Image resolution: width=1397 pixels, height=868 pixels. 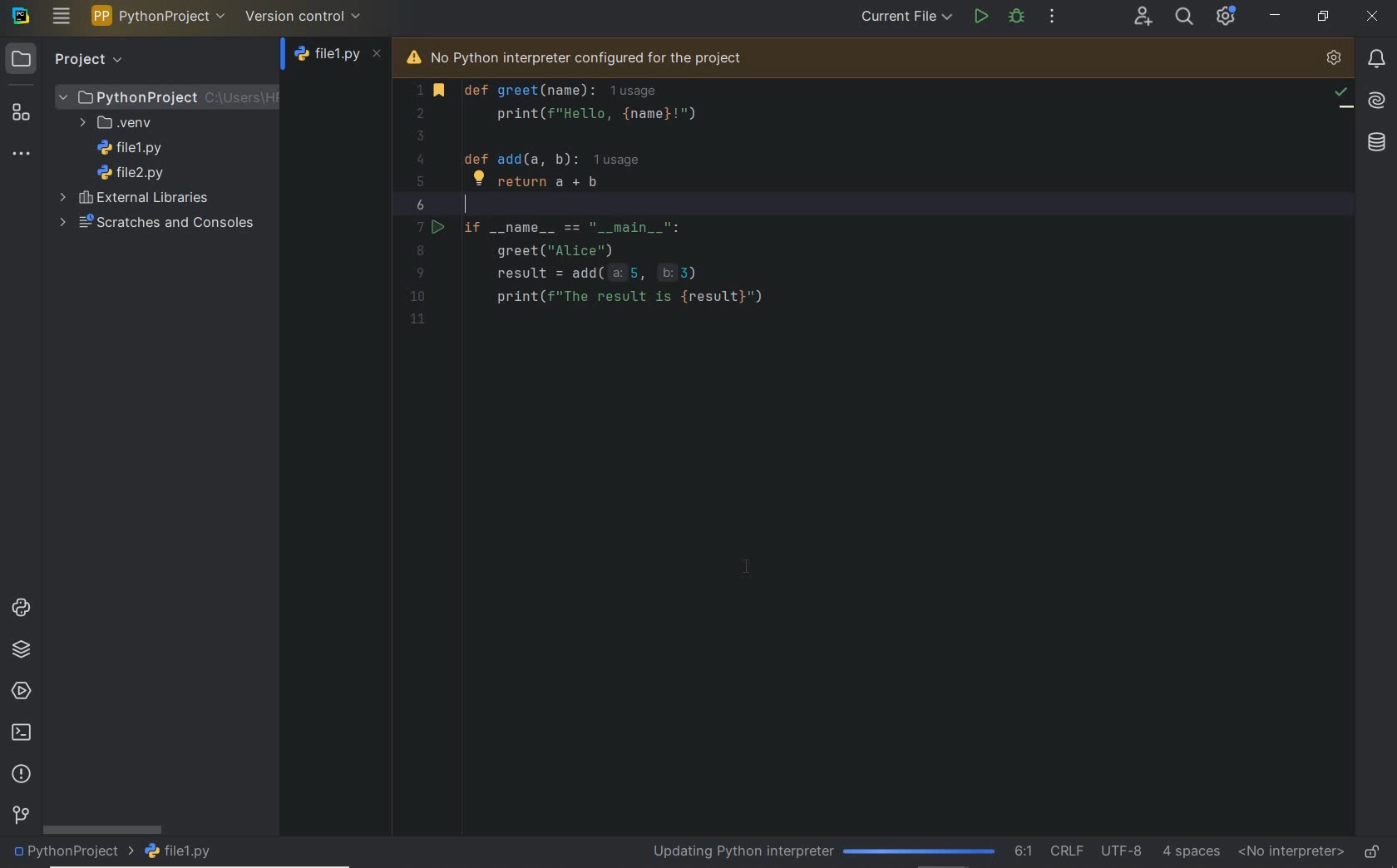 I want to click on version control, so click(x=304, y=16).